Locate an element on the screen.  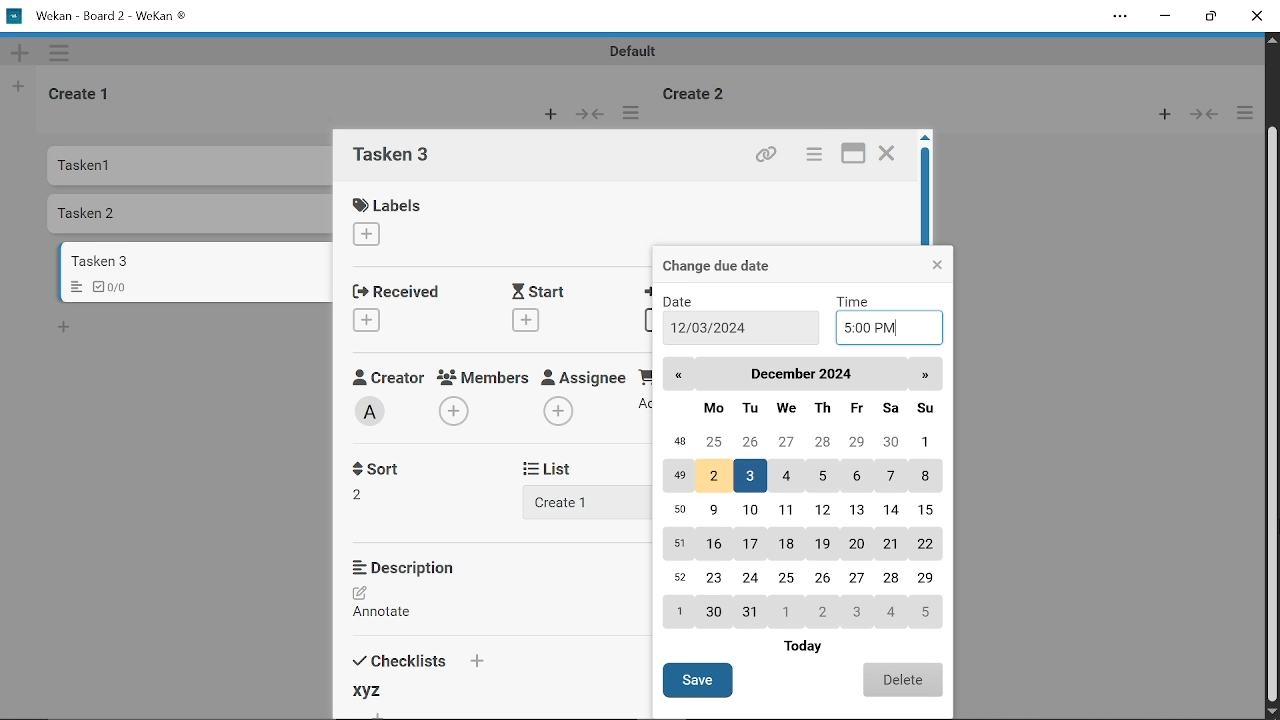
Add time is located at coordinates (891, 328).